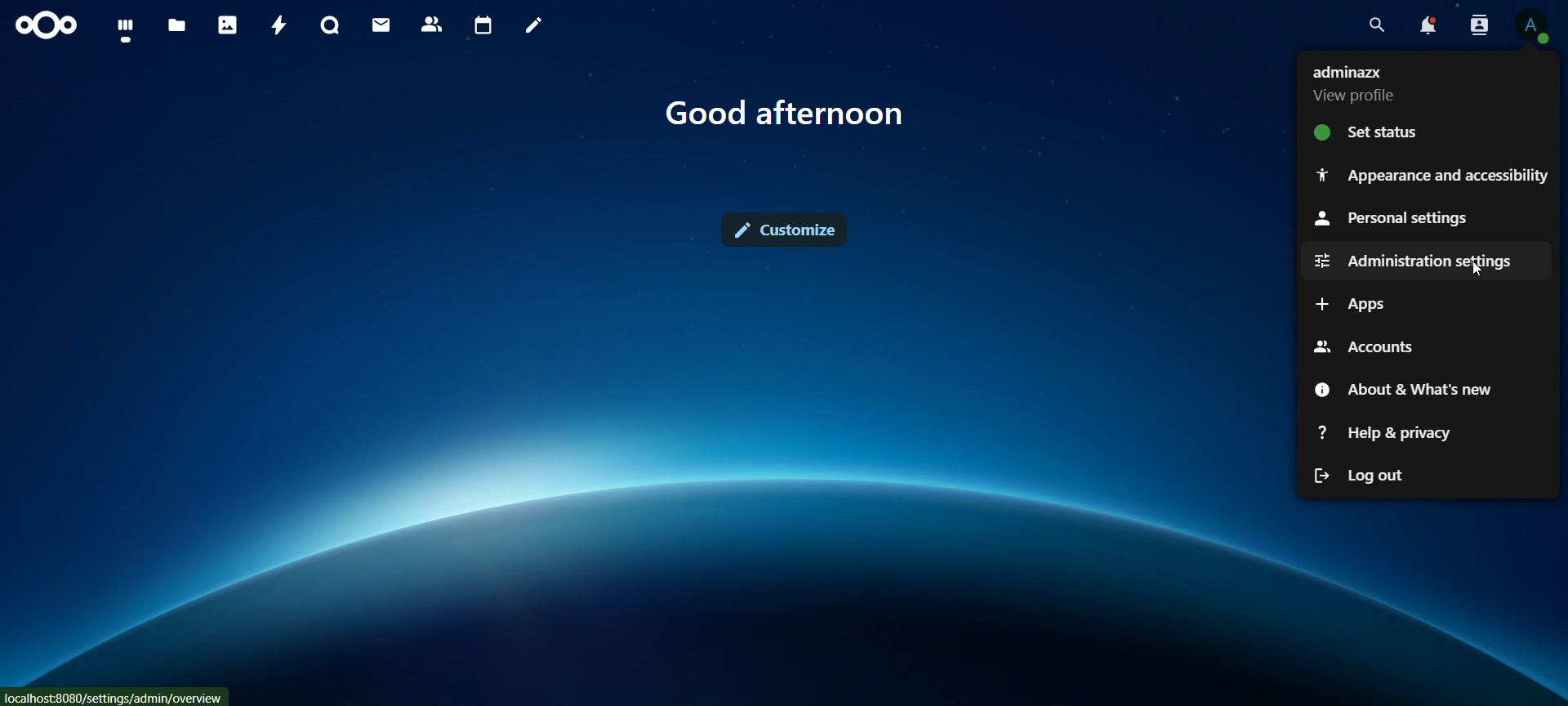  What do you see at coordinates (1392, 217) in the screenshot?
I see `personal settings` at bounding box center [1392, 217].